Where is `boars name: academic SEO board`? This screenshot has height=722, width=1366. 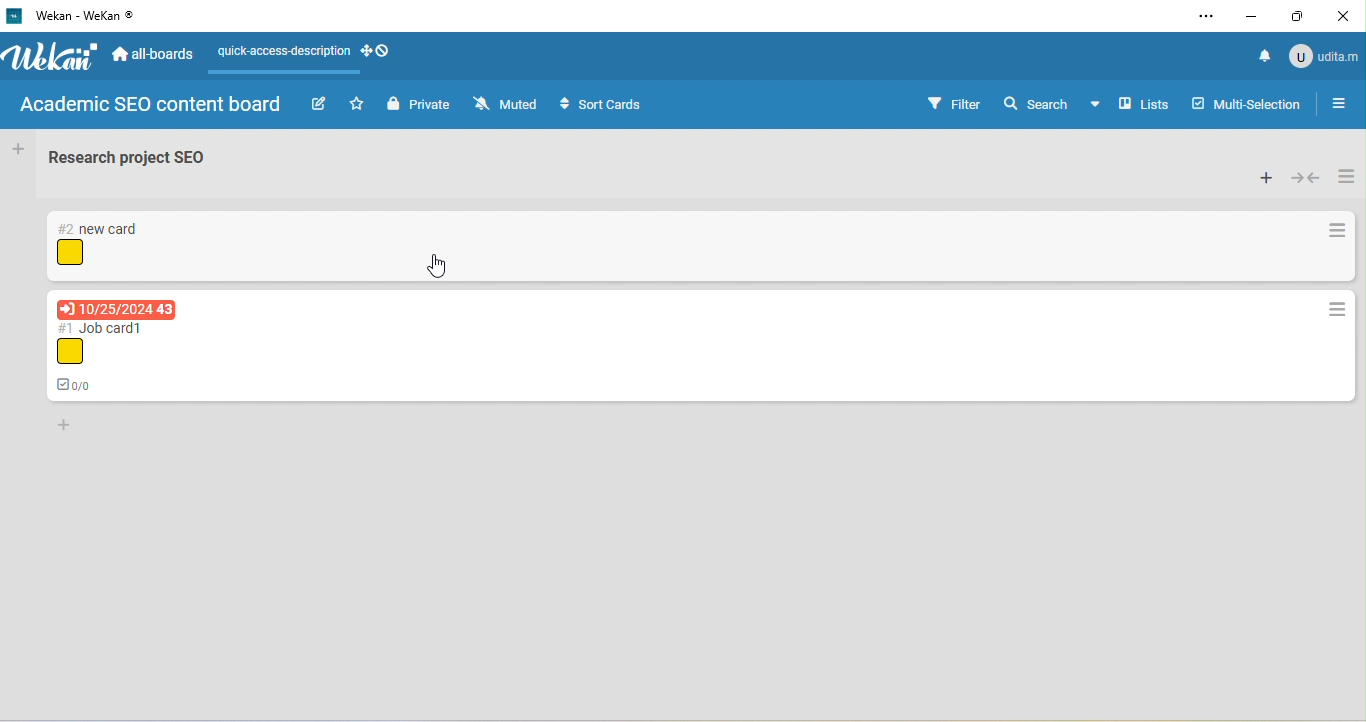 boars name: academic SEO board is located at coordinates (149, 106).